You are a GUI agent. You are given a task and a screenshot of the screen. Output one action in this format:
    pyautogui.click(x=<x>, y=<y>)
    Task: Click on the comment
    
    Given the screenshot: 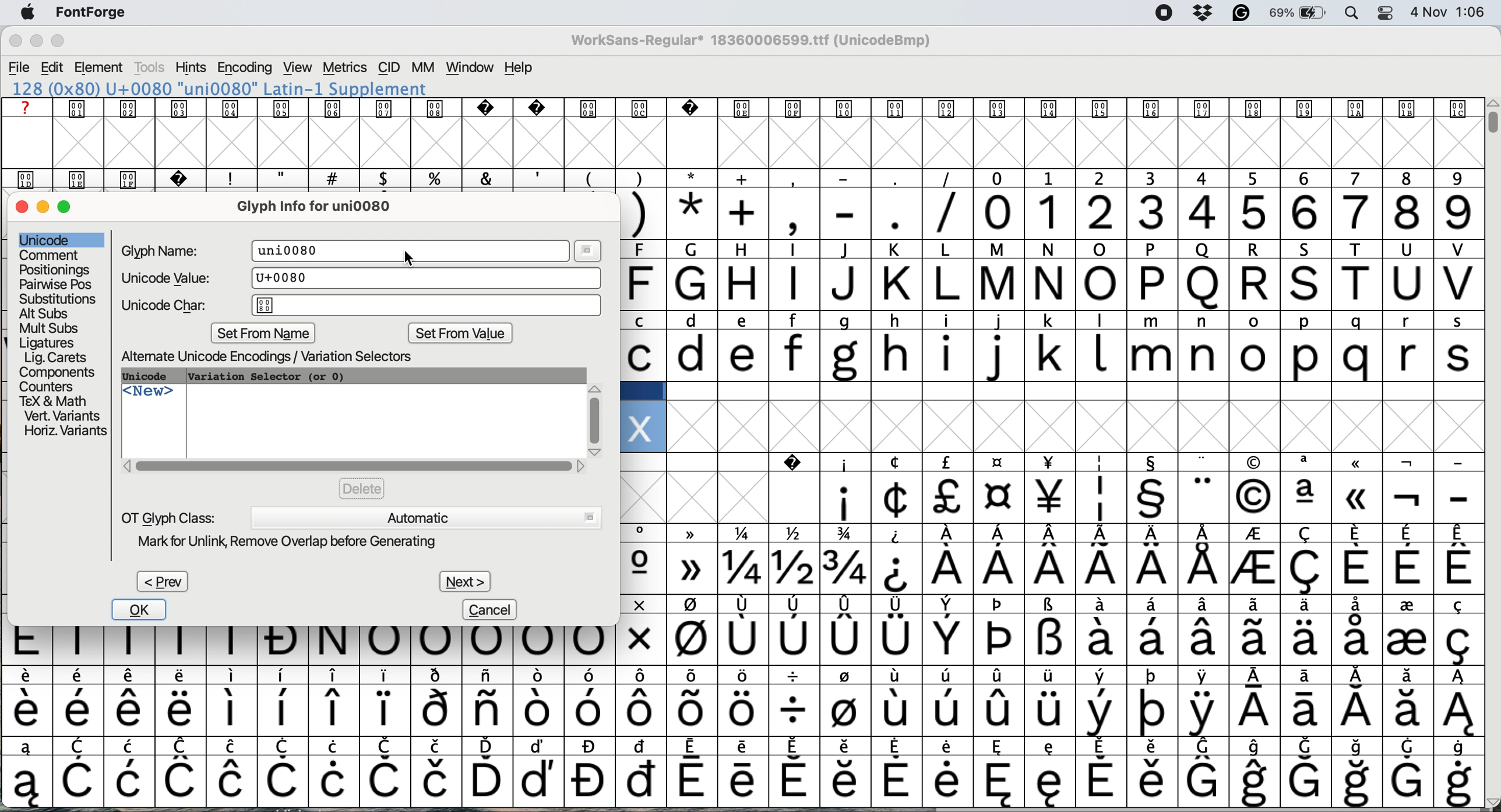 What is the action you would take?
    pyautogui.click(x=49, y=255)
    